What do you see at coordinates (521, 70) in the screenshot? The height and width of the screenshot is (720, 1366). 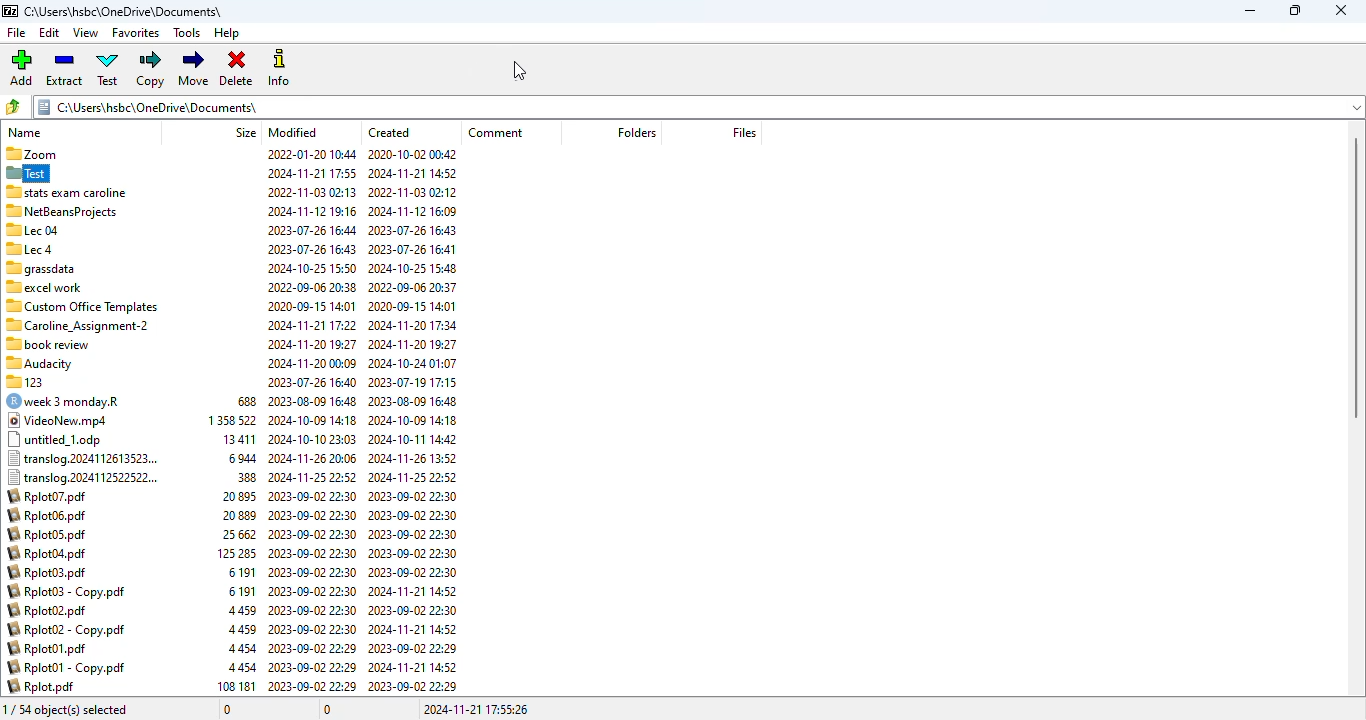 I see `cursor` at bounding box center [521, 70].